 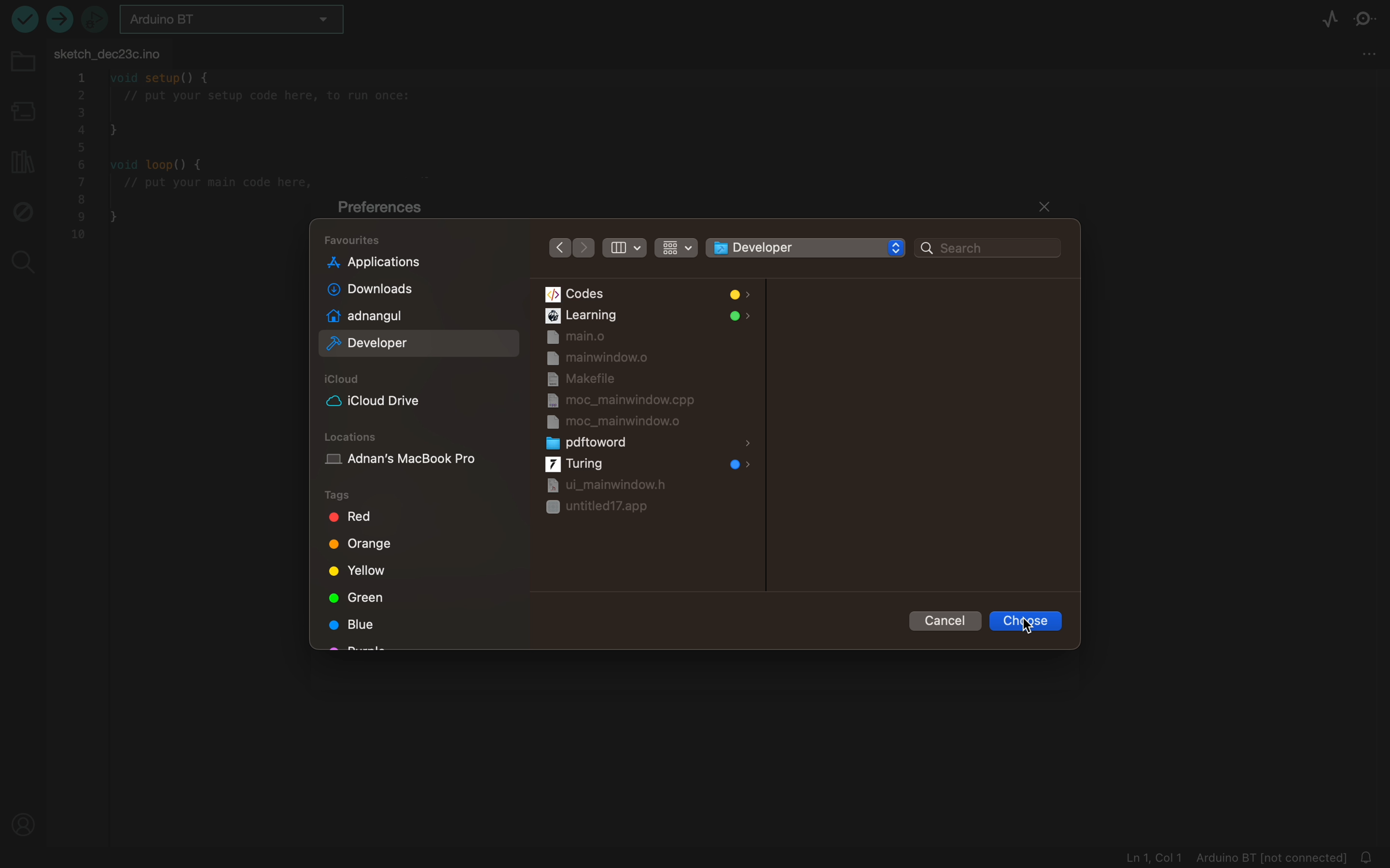 I want to click on cancel, so click(x=941, y=622).